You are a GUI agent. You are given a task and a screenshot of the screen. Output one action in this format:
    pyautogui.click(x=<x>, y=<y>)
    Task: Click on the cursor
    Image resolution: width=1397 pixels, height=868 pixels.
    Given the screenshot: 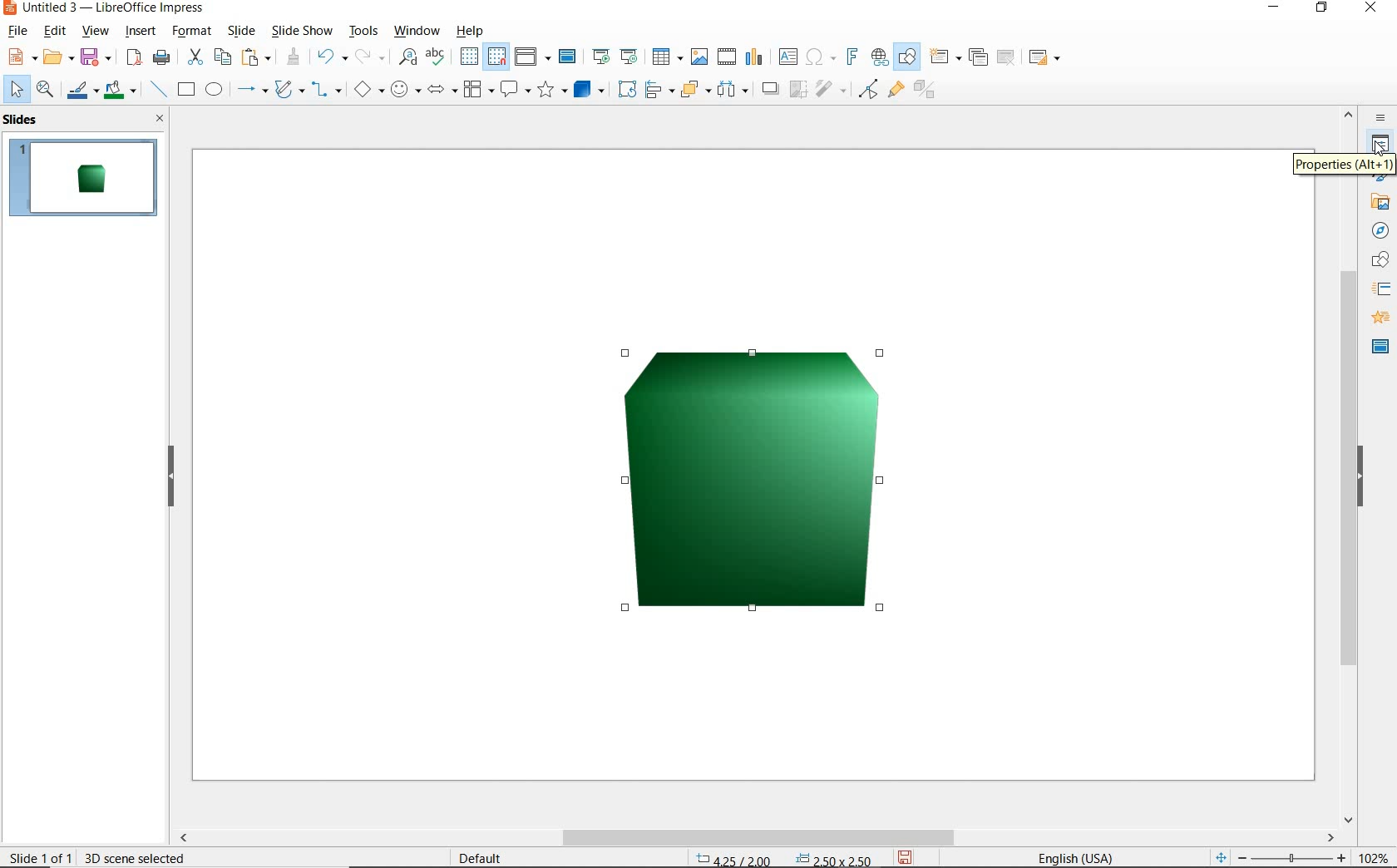 What is the action you would take?
    pyautogui.click(x=1377, y=149)
    